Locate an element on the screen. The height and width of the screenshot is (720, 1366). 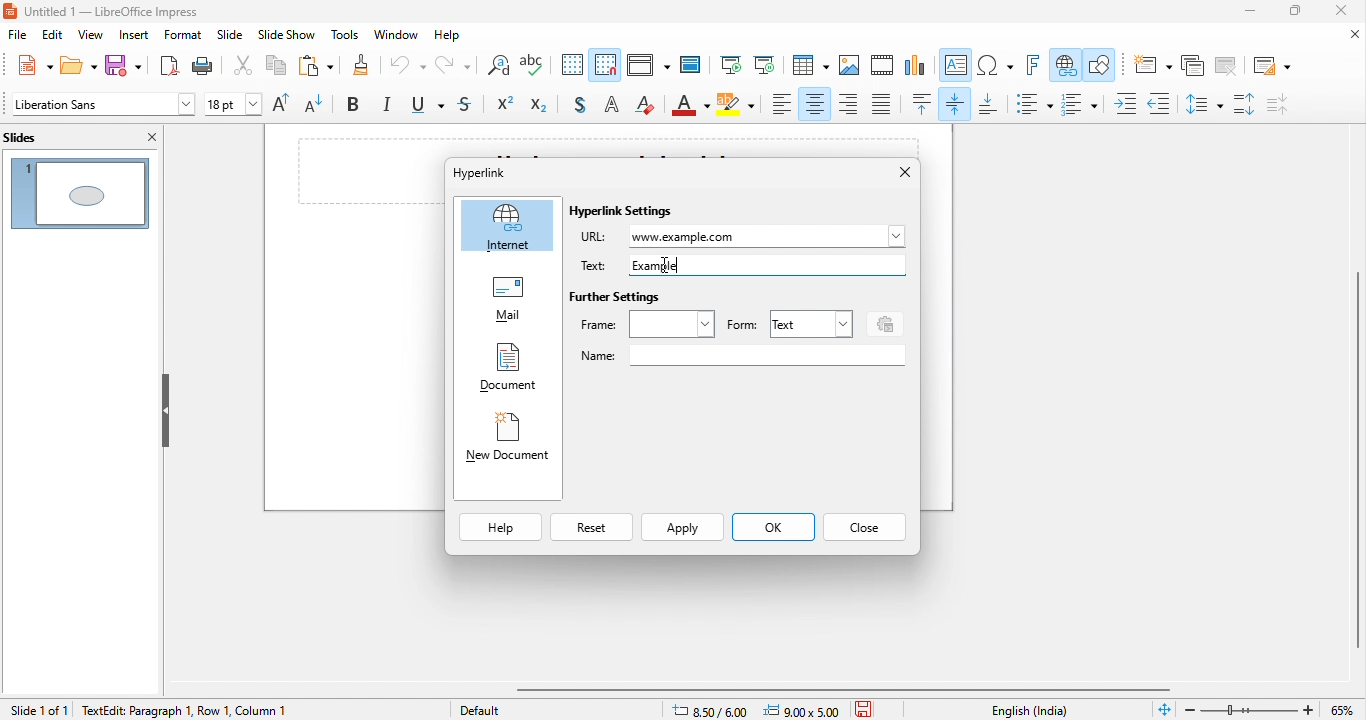
set line spacing is located at coordinates (1202, 103).